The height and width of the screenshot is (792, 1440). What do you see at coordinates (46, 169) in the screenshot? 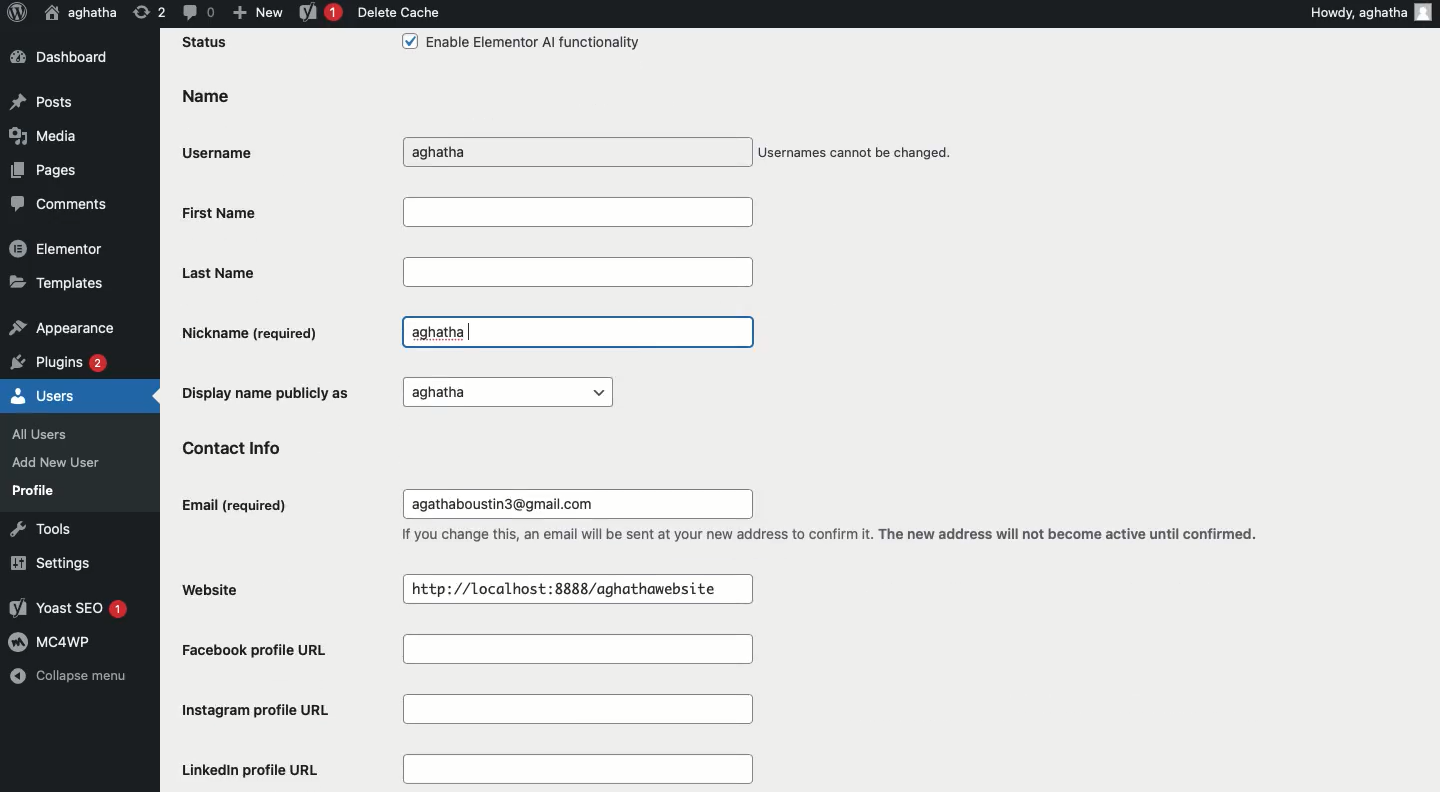
I see `Pages` at bounding box center [46, 169].